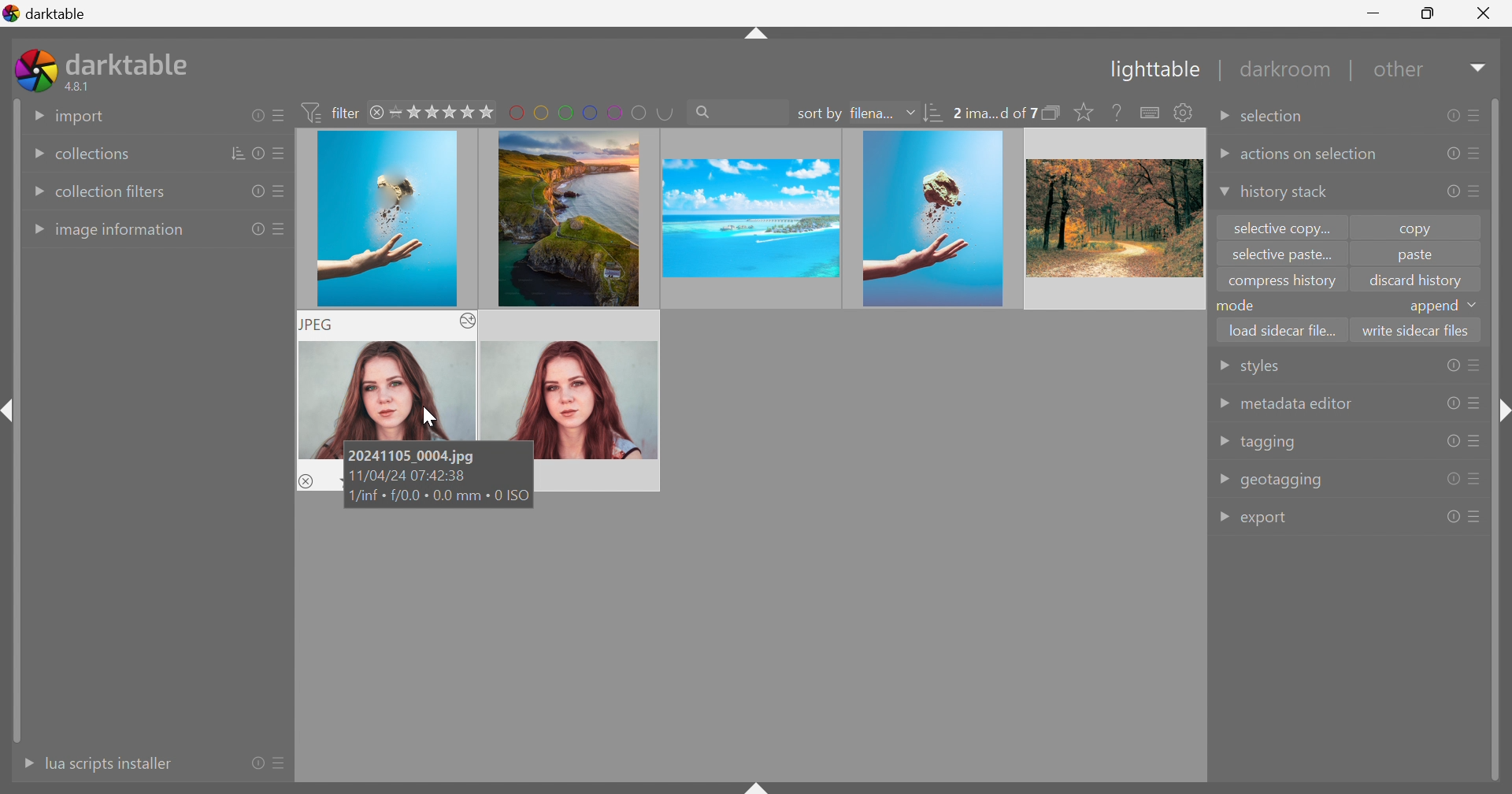 The image size is (1512, 794). I want to click on collections, so click(91, 155).